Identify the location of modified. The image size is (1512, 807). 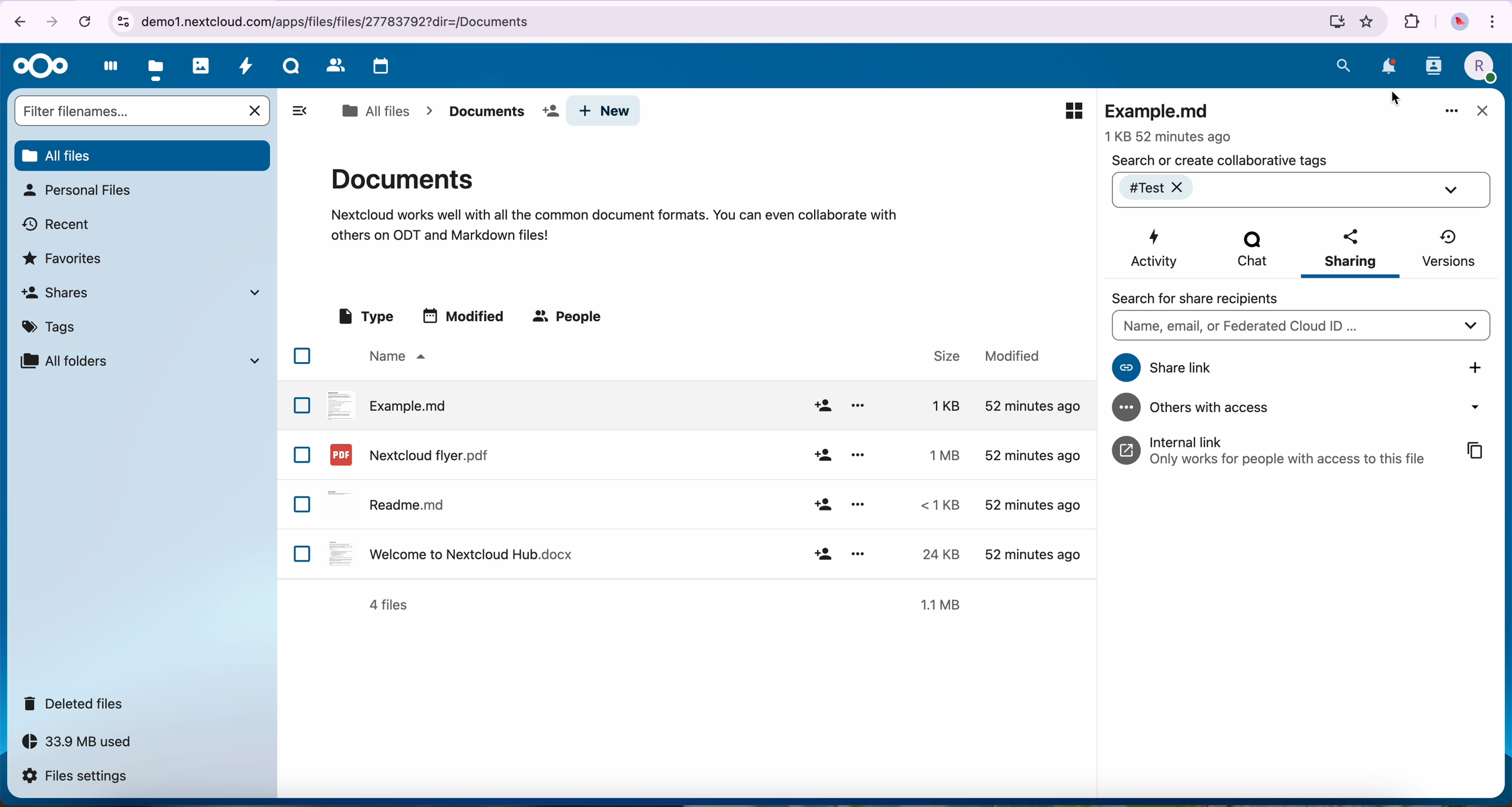
(1031, 455).